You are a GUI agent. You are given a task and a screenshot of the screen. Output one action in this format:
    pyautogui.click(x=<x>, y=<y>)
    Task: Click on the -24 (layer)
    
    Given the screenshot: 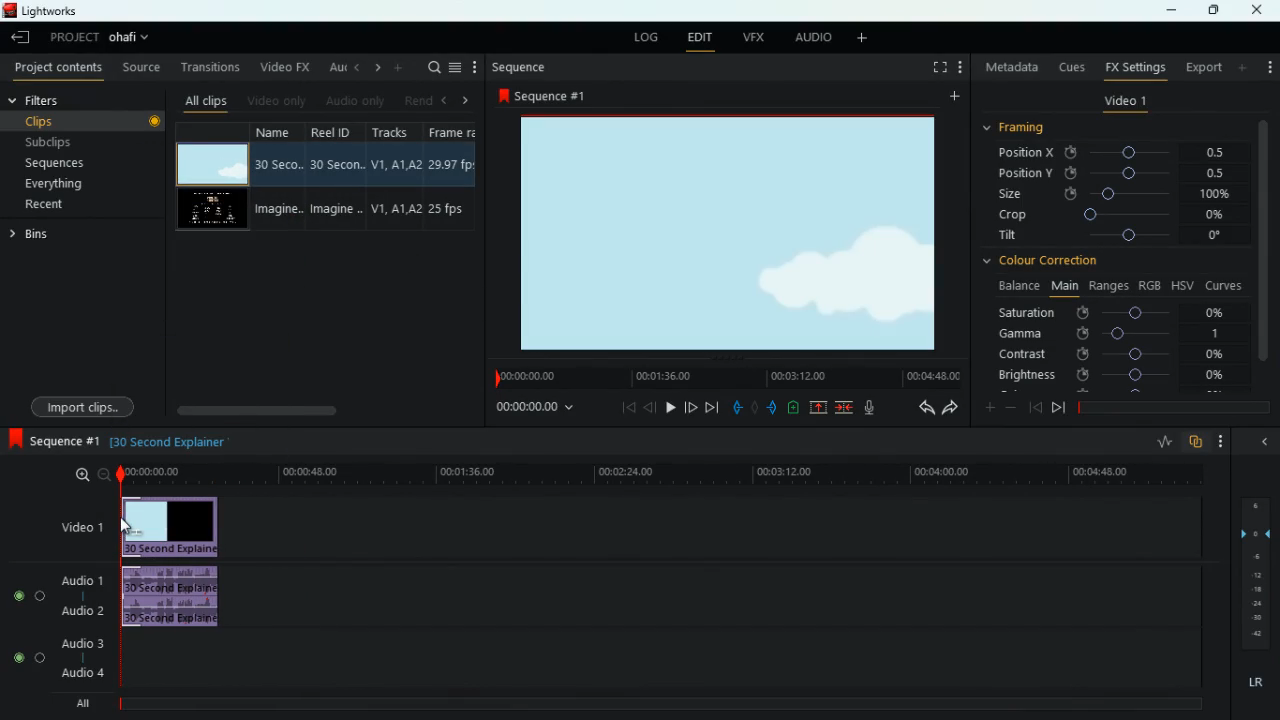 What is the action you would take?
    pyautogui.click(x=1252, y=604)
    